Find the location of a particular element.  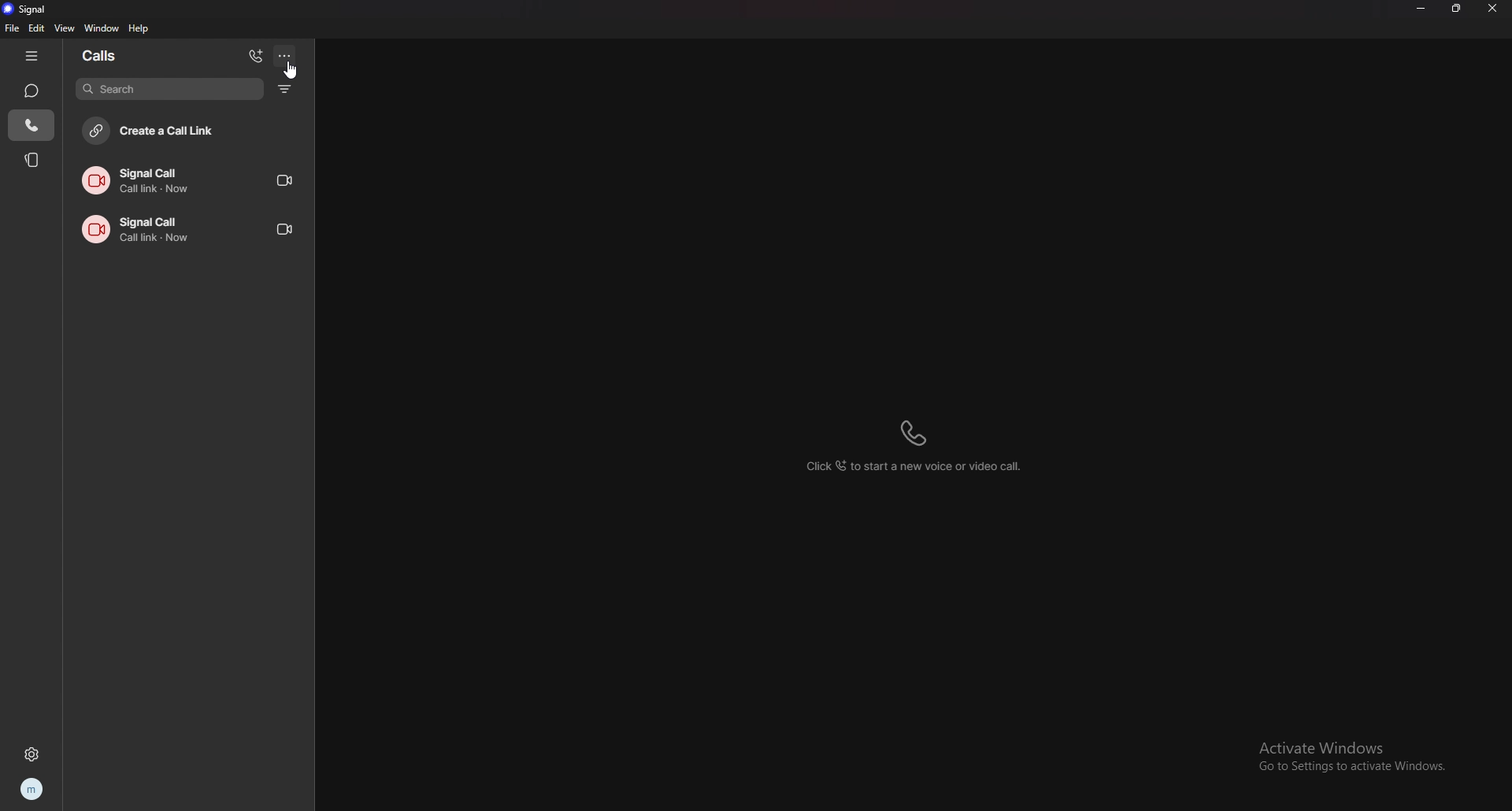

window is located at coordinates (102, 29).